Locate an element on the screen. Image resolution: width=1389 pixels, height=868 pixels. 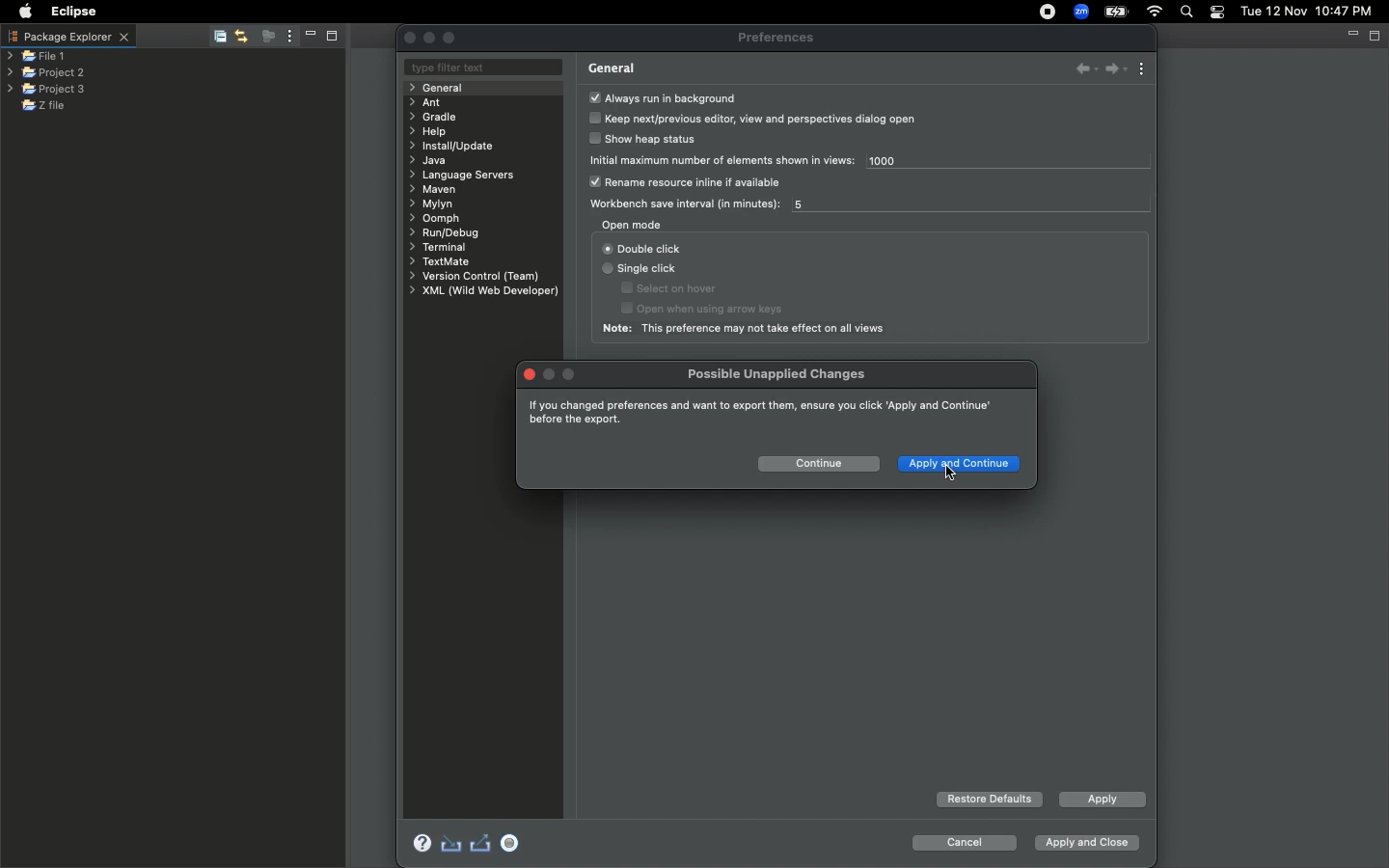
Restore defaults is located at coordinates (989, 800).